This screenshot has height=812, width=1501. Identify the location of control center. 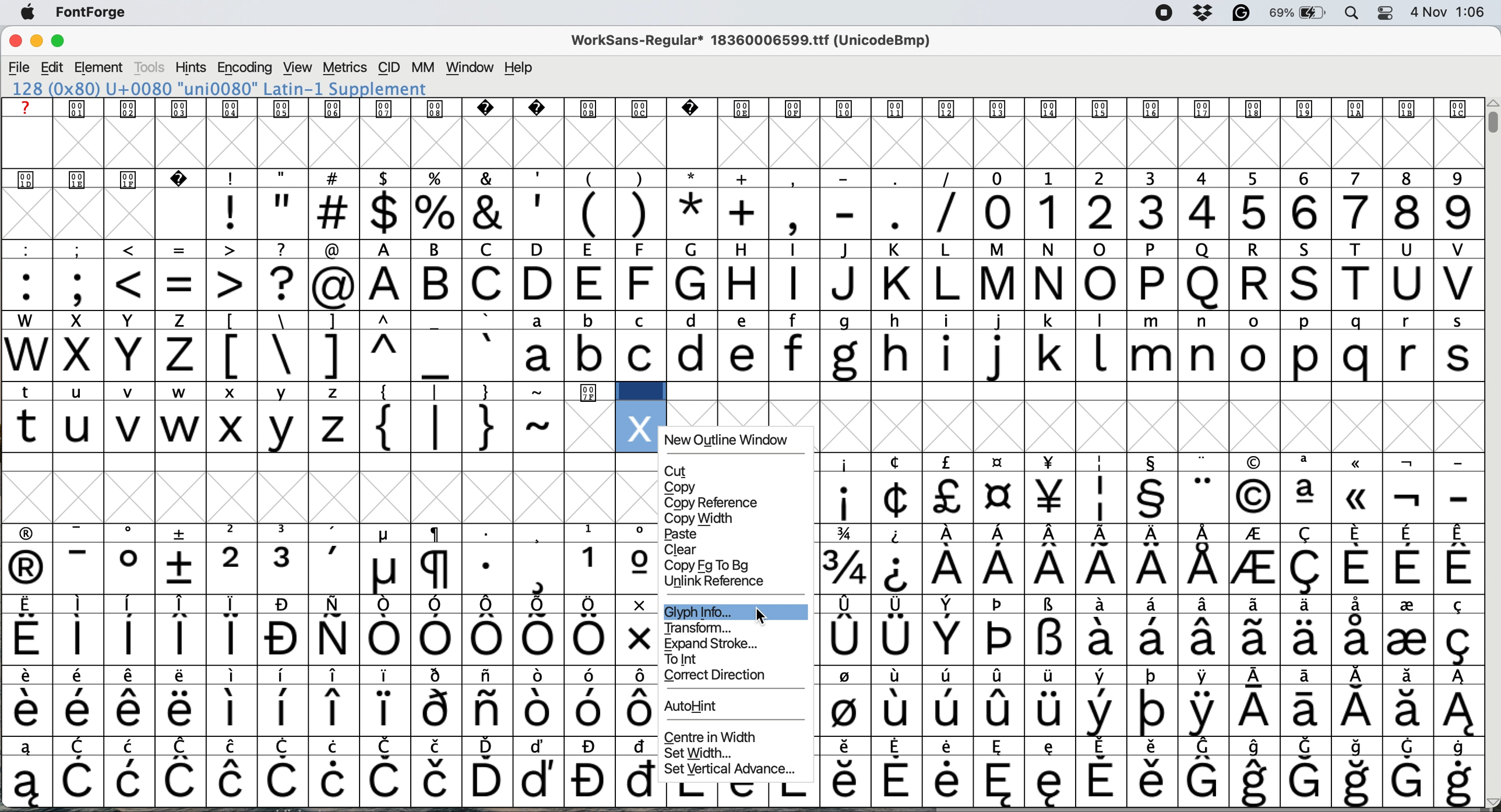
(1383, 12).